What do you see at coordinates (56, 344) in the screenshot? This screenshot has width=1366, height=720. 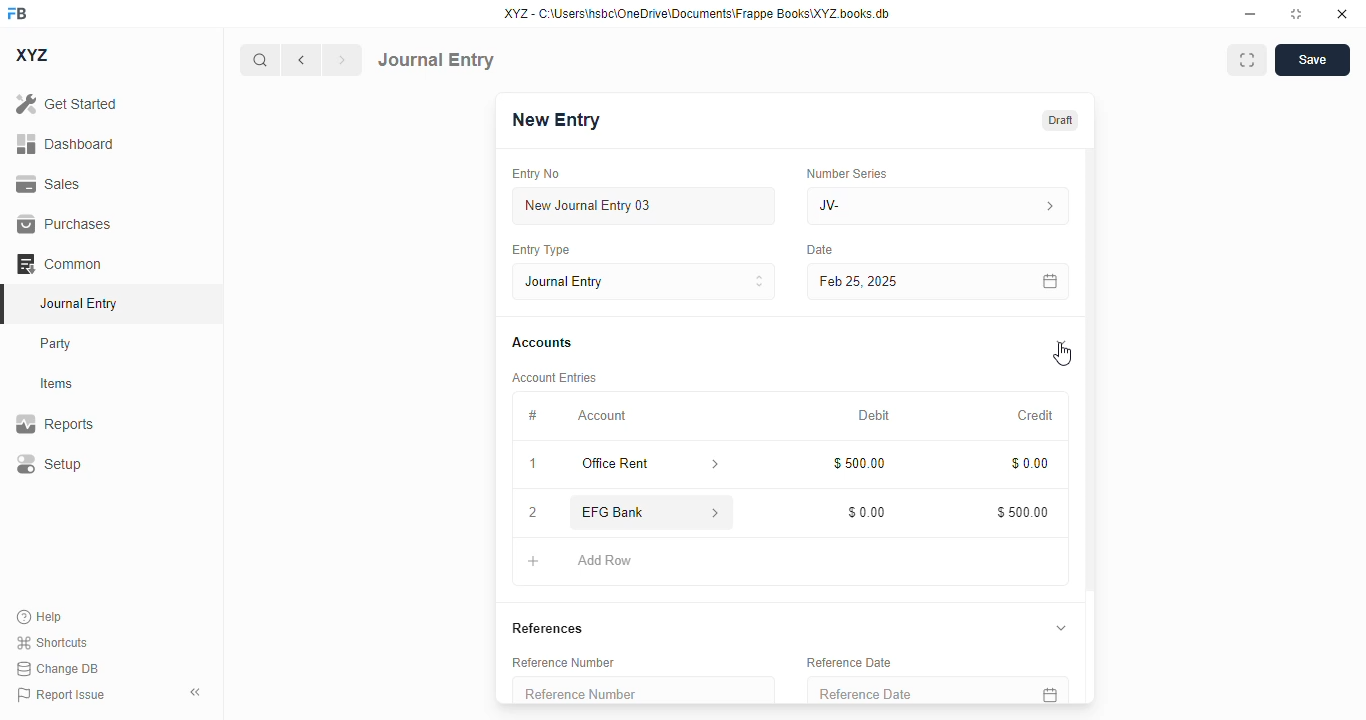 I see `party` at bounding box center [56, 344].